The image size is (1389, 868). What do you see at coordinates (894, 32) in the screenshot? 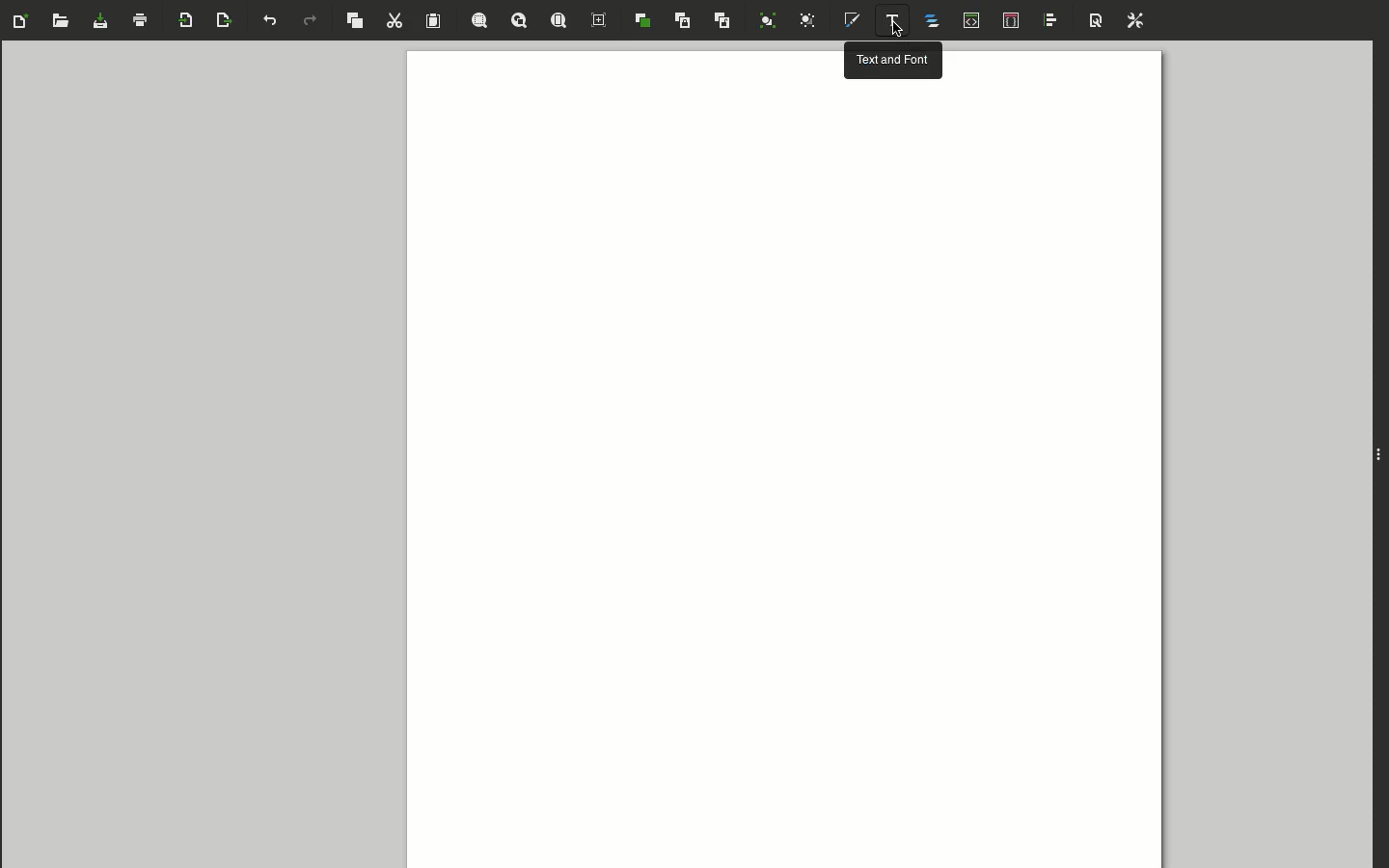
I see `Cursor` at bounding box center [894, 32].